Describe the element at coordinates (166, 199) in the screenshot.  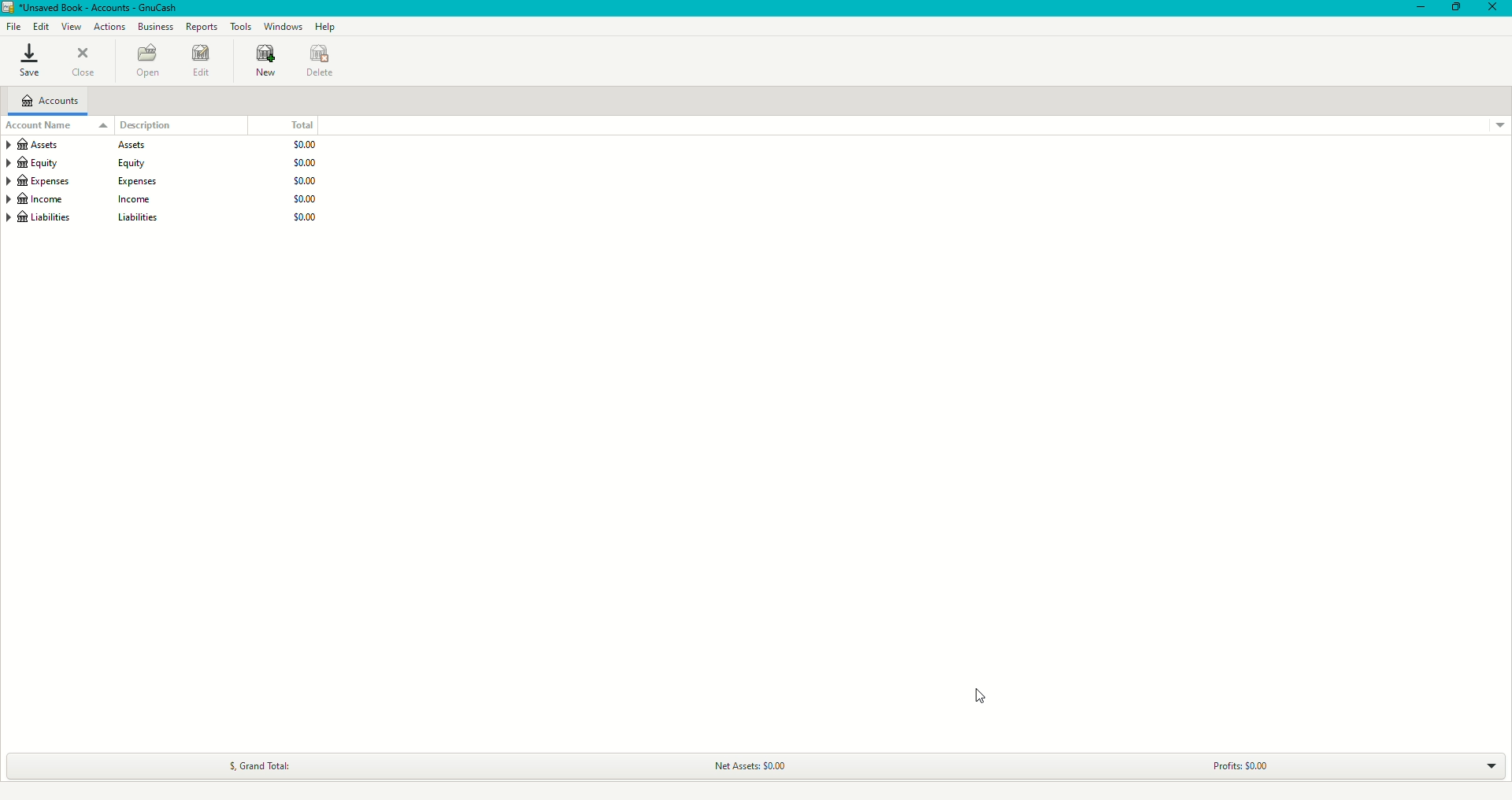
I see `Income` at that location.